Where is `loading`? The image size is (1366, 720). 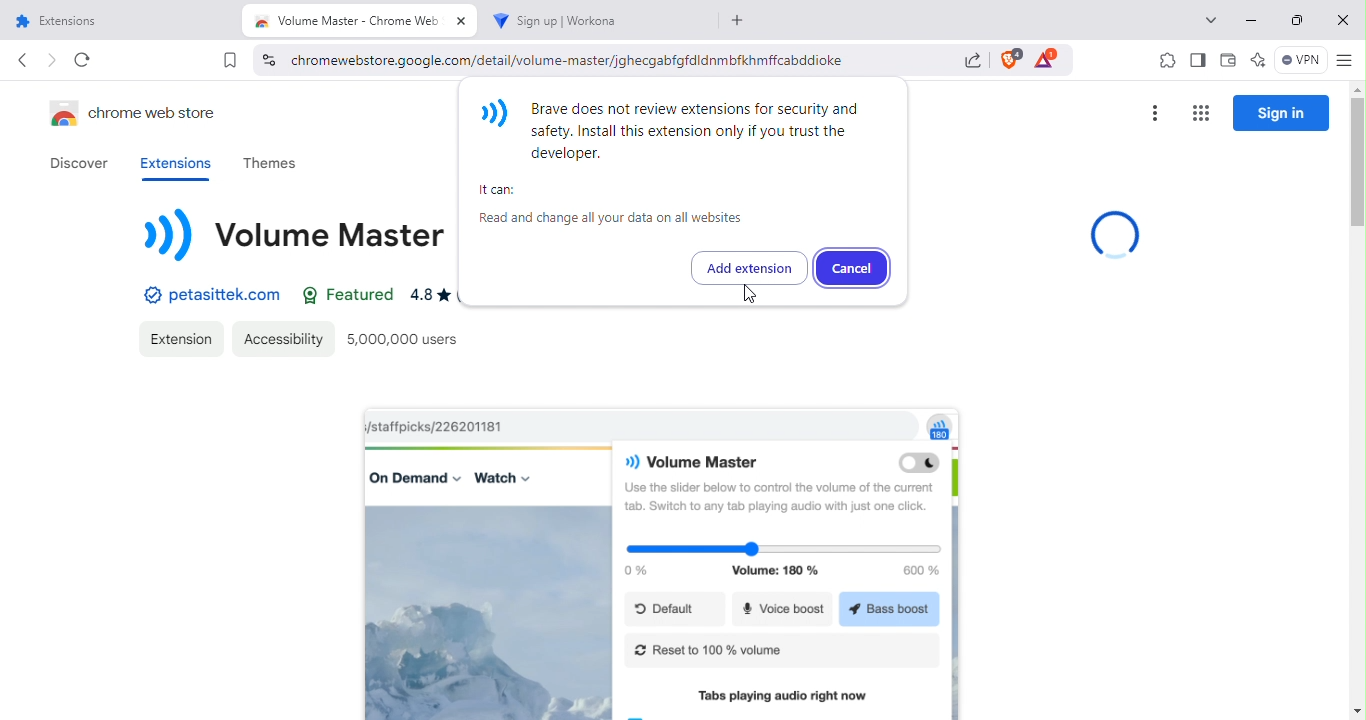
loading is located at coordinates (1114, 233).